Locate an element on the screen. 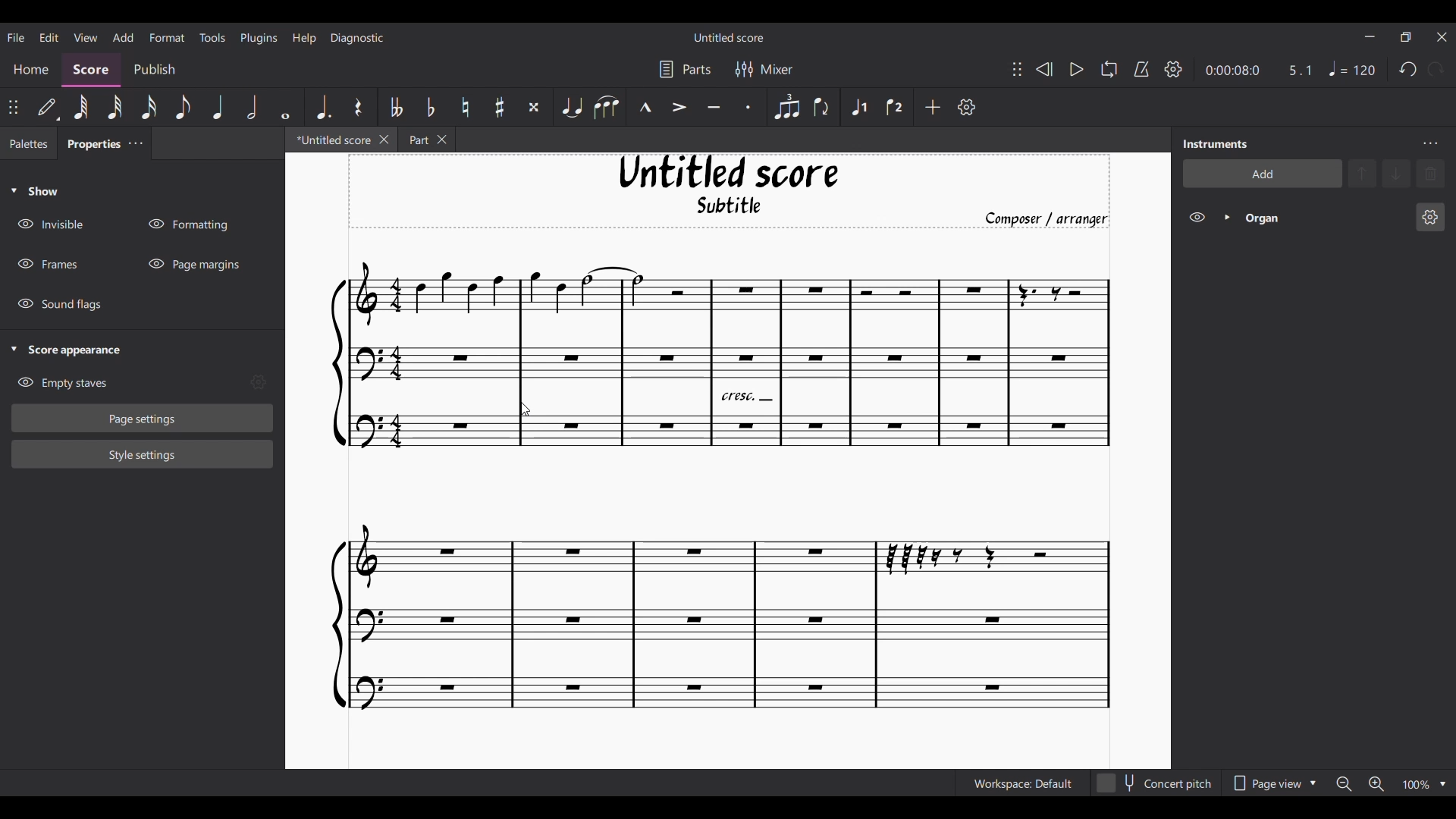 Image resolution: width=1456 pixels, height=819 pixels. Tuplet is located at coordinates (786, 107).